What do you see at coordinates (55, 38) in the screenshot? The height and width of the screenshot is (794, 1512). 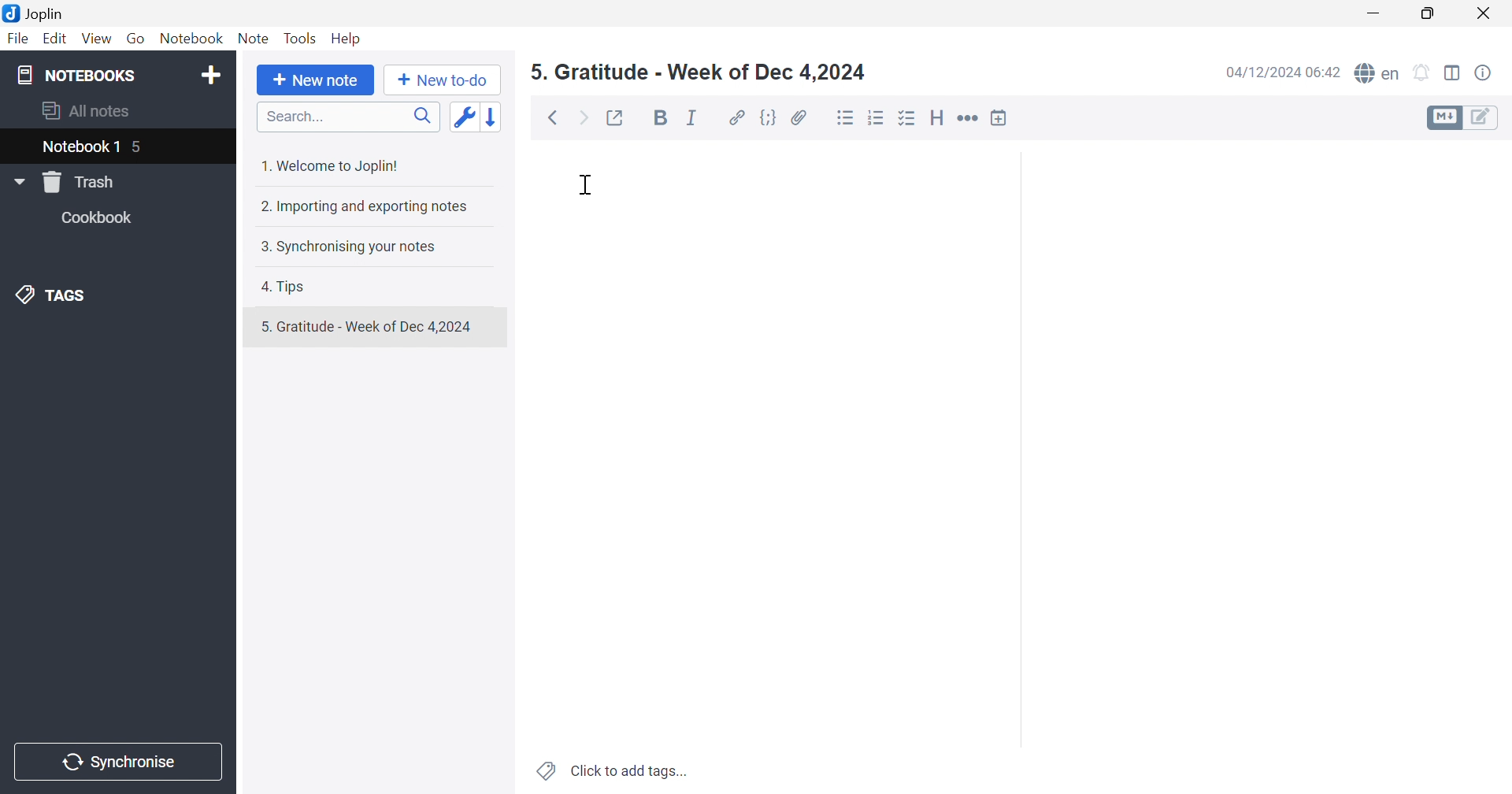 I see `Edit` at bounding box center [55, 38].